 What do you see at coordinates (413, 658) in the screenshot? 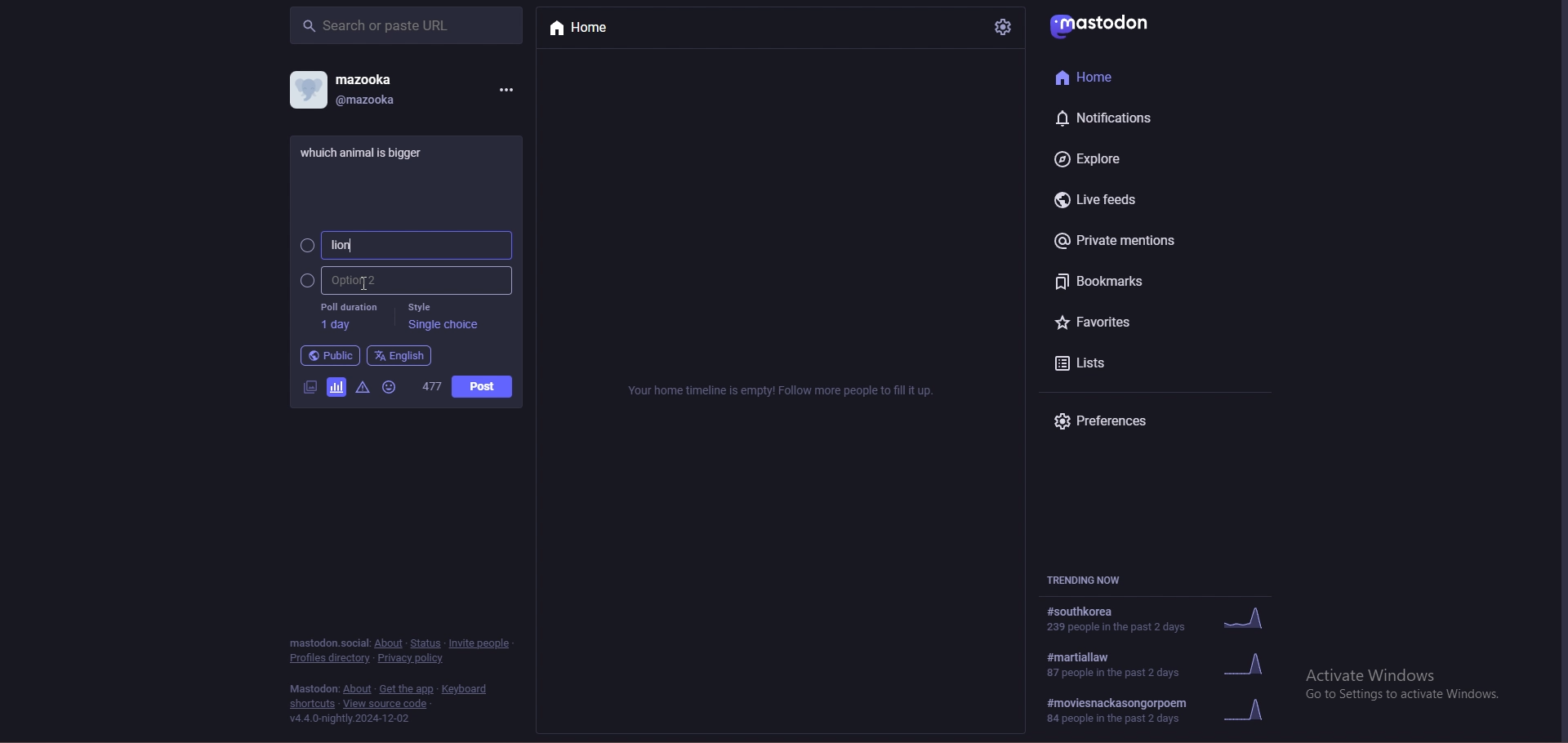
I see `privacy policy` at bounding box center [413, 658].